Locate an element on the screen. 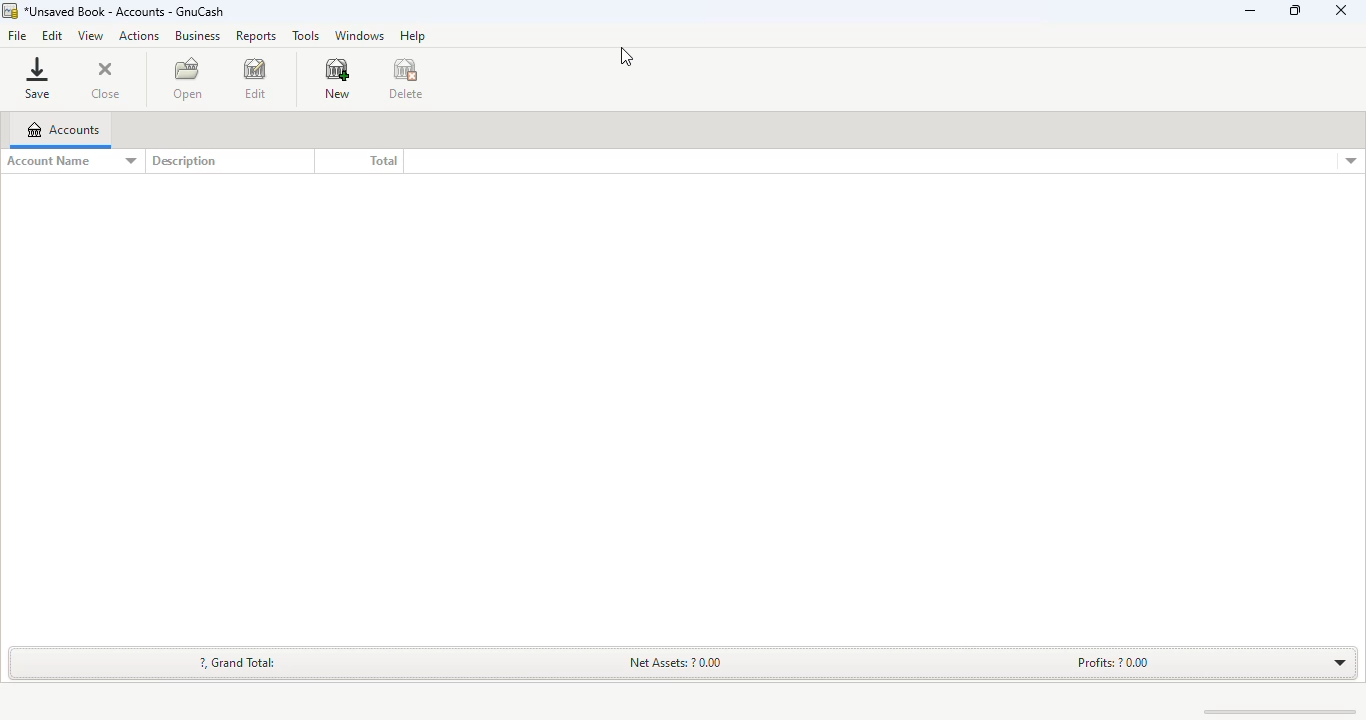  ?, grand total: is located at coordinates (238, 662).